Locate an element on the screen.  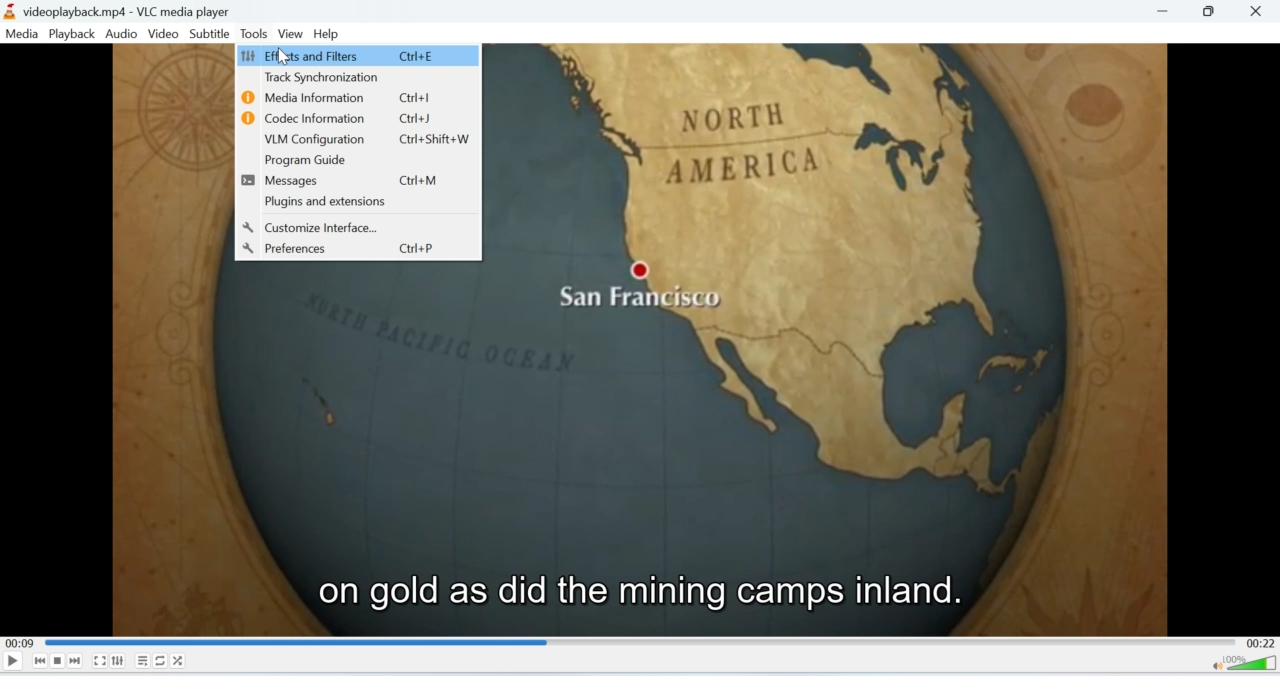
Playlist is located at coordinates (142, 660).